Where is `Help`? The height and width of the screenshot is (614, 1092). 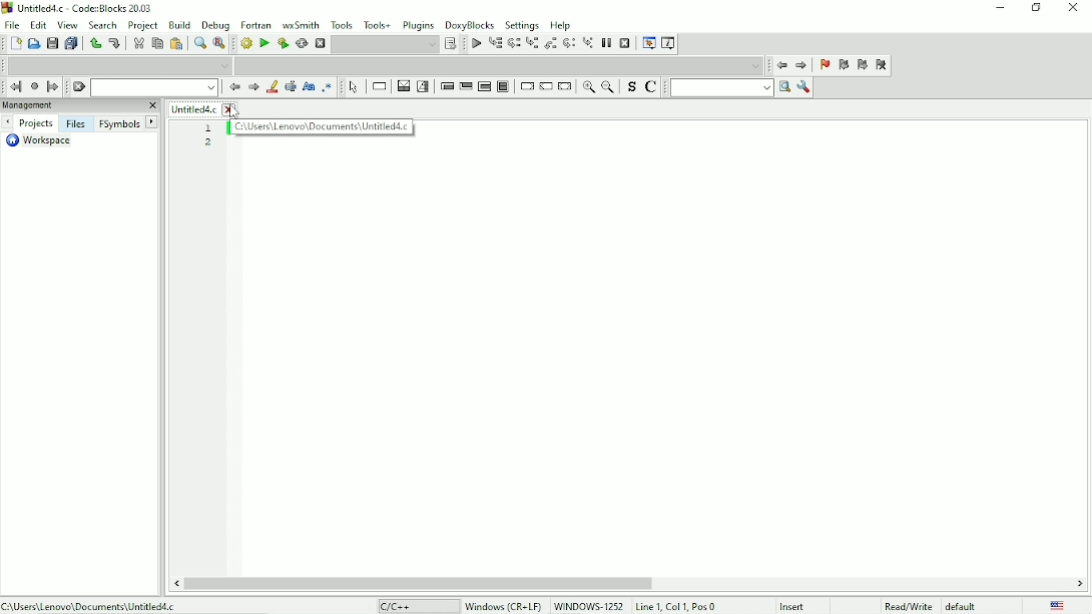
Help is located at coordinates (561, 24).